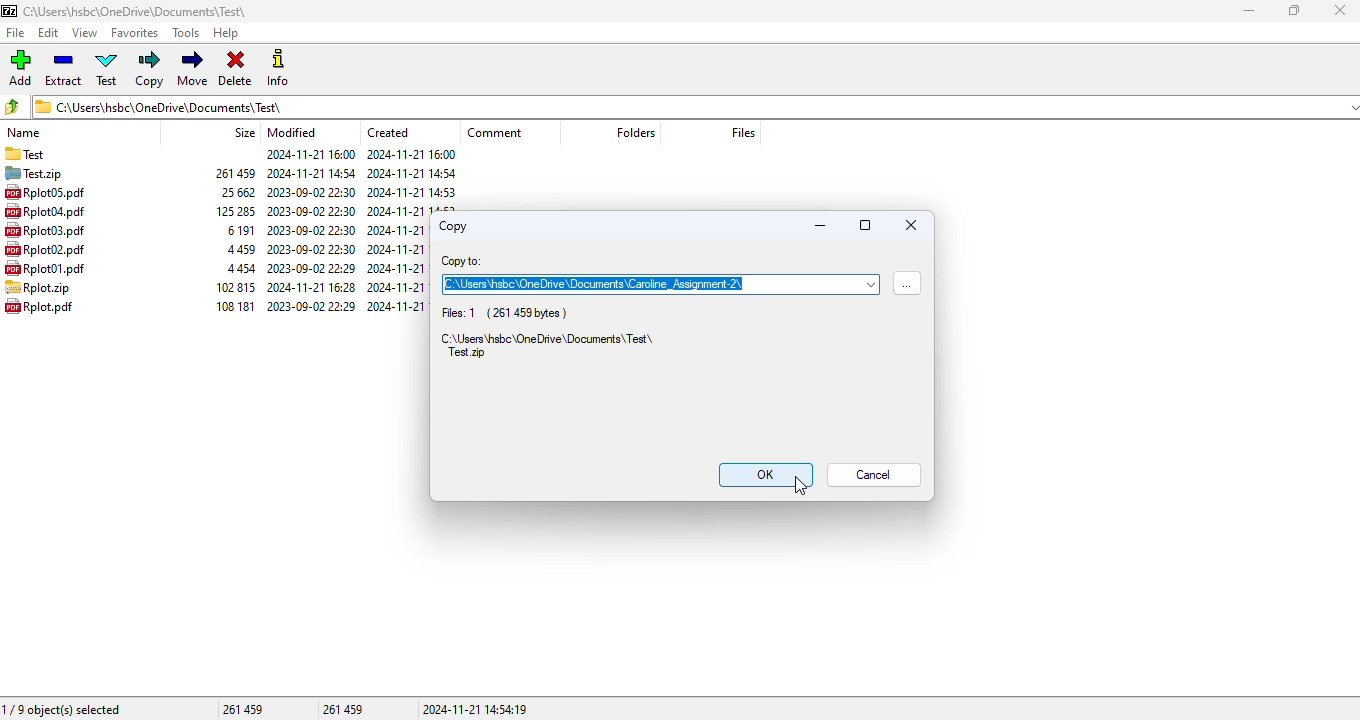 The width and height of the screenshot is (1360, 720). What do you see at coordinates (62, 710) in the screenshot?
I see `1/9 object(s) selected` at bounding box center [62, 710].